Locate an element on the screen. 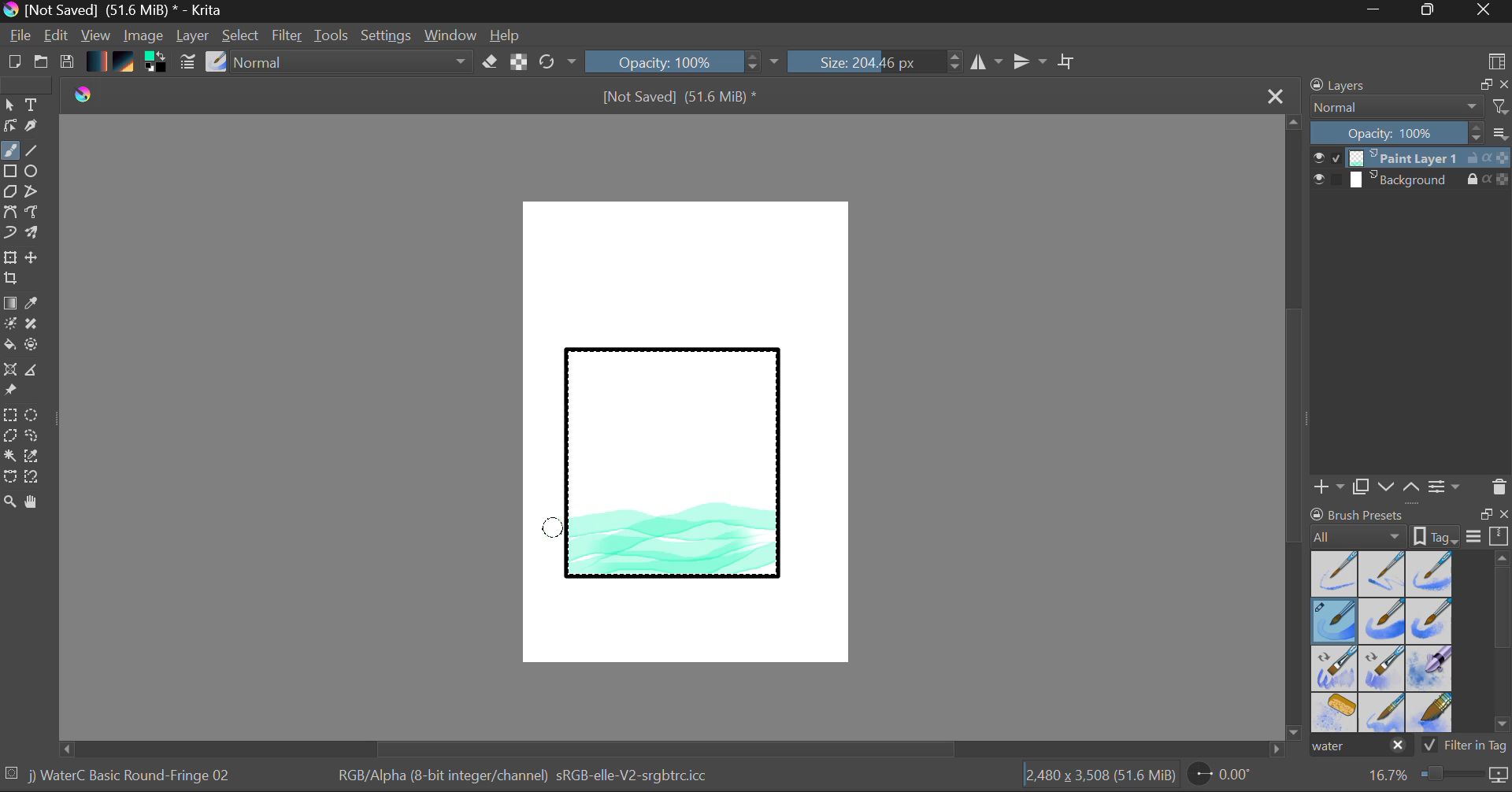 The height and width of the screenshot is (792, 1512). Water C - Special Splats is located at coordinates (1336, 712).